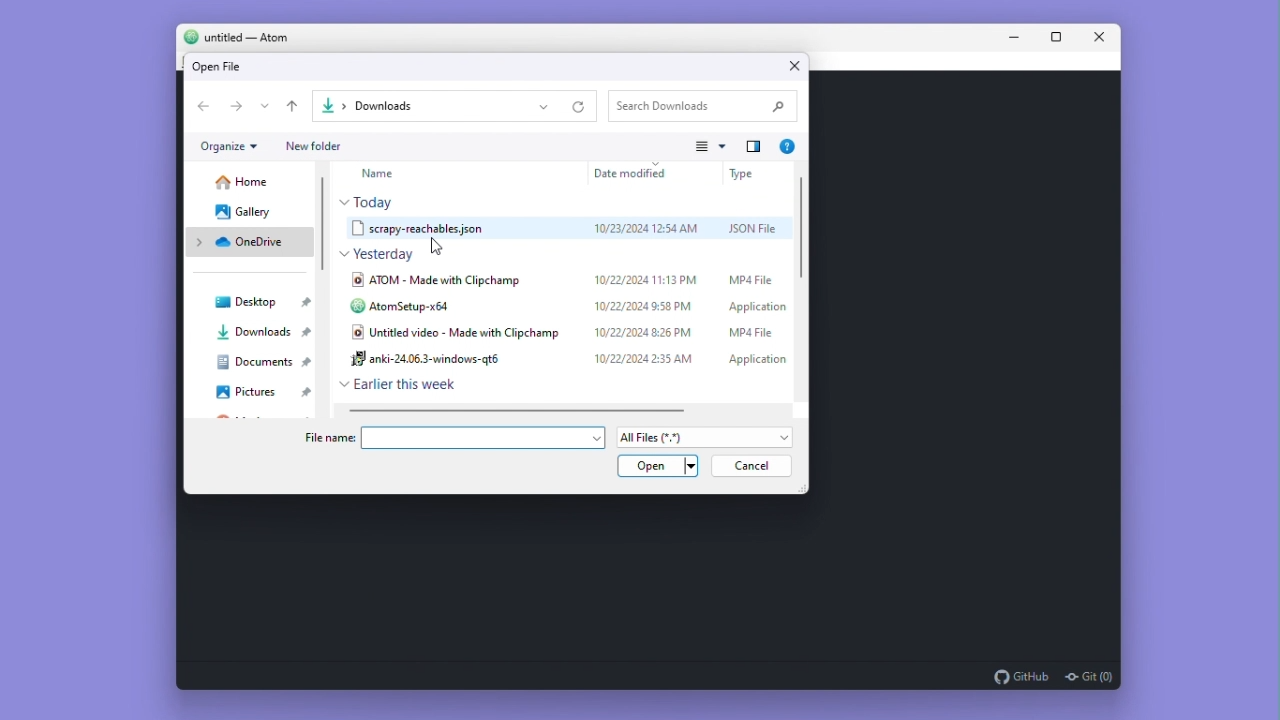 This screenshot has height=720, width=1280. I want to click on All files (*.*), so click(704, 436).